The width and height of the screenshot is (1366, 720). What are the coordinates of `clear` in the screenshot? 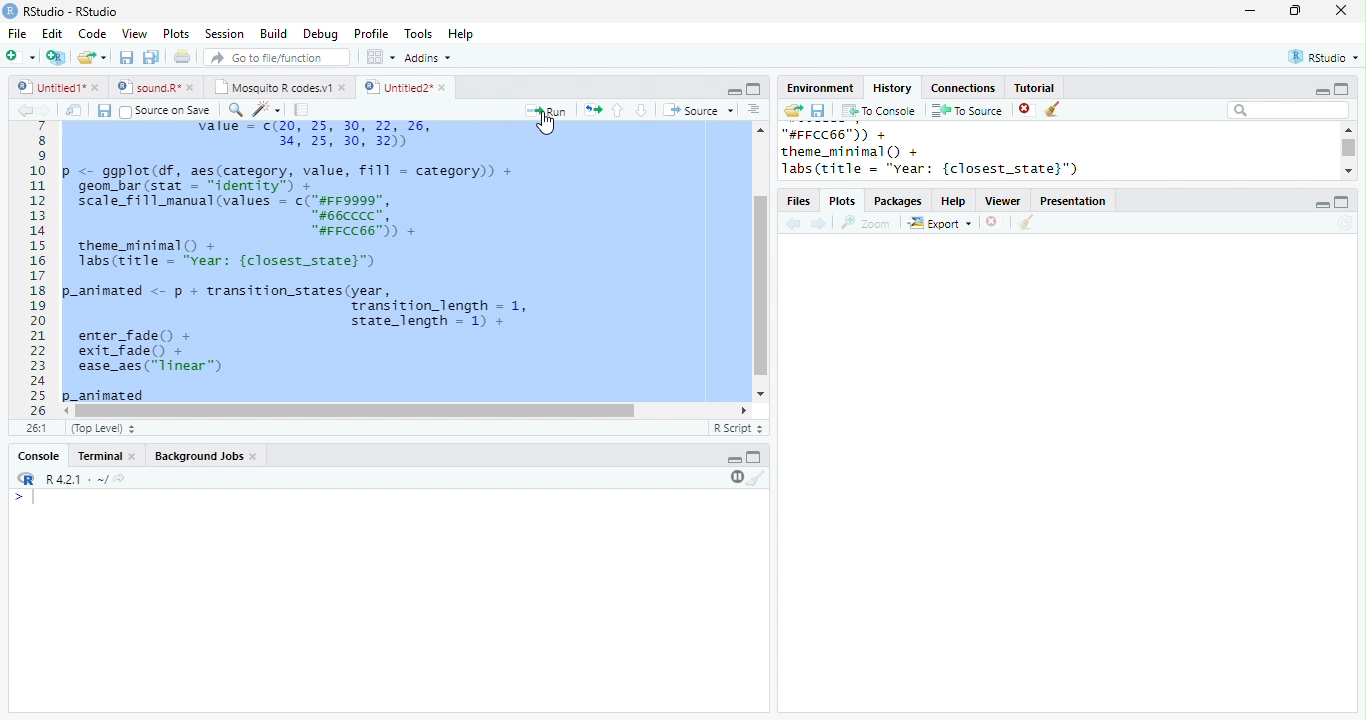 It's located at (756, 478).